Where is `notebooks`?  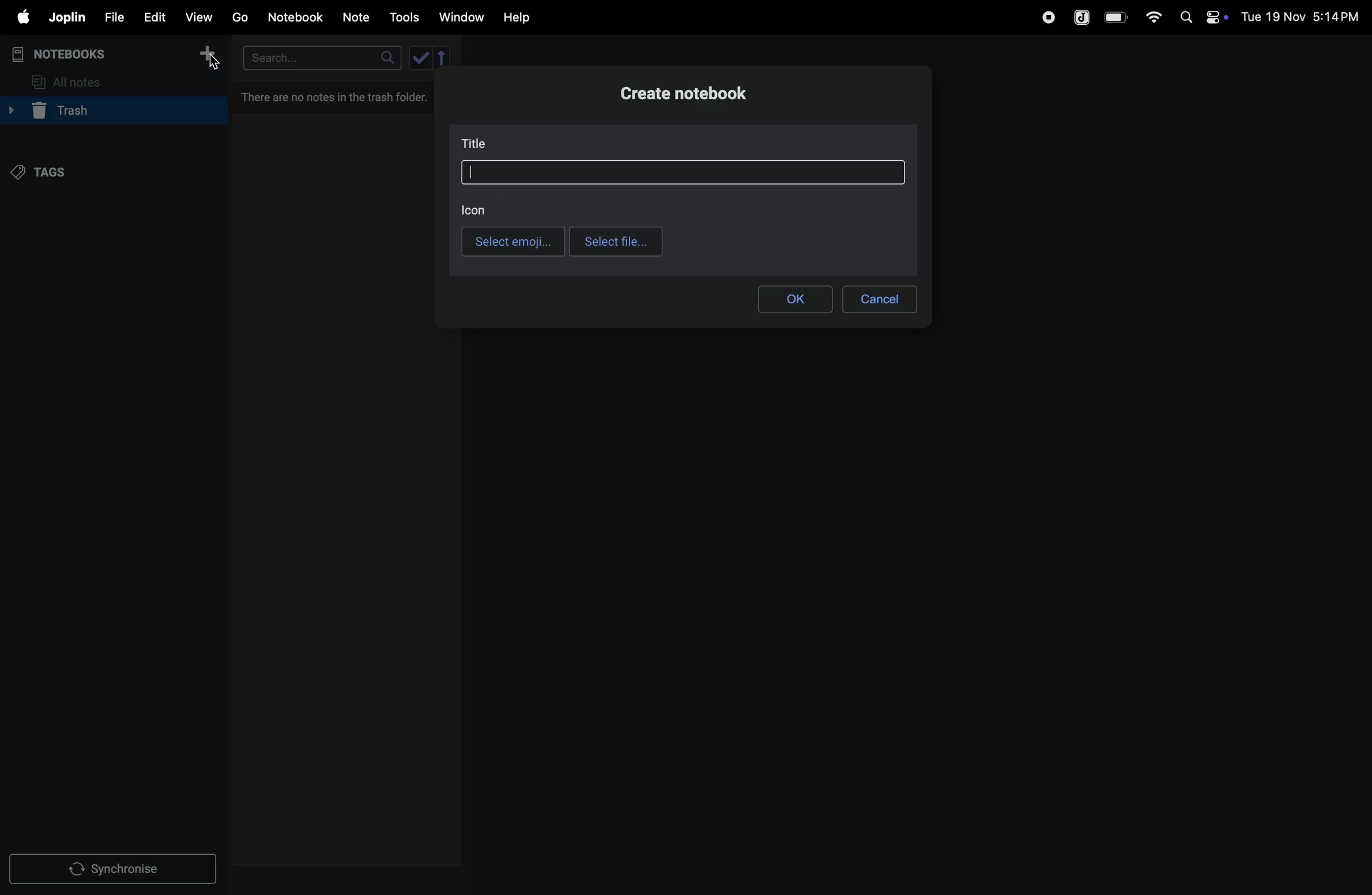
notebooks is located at coordinates (69, 54).